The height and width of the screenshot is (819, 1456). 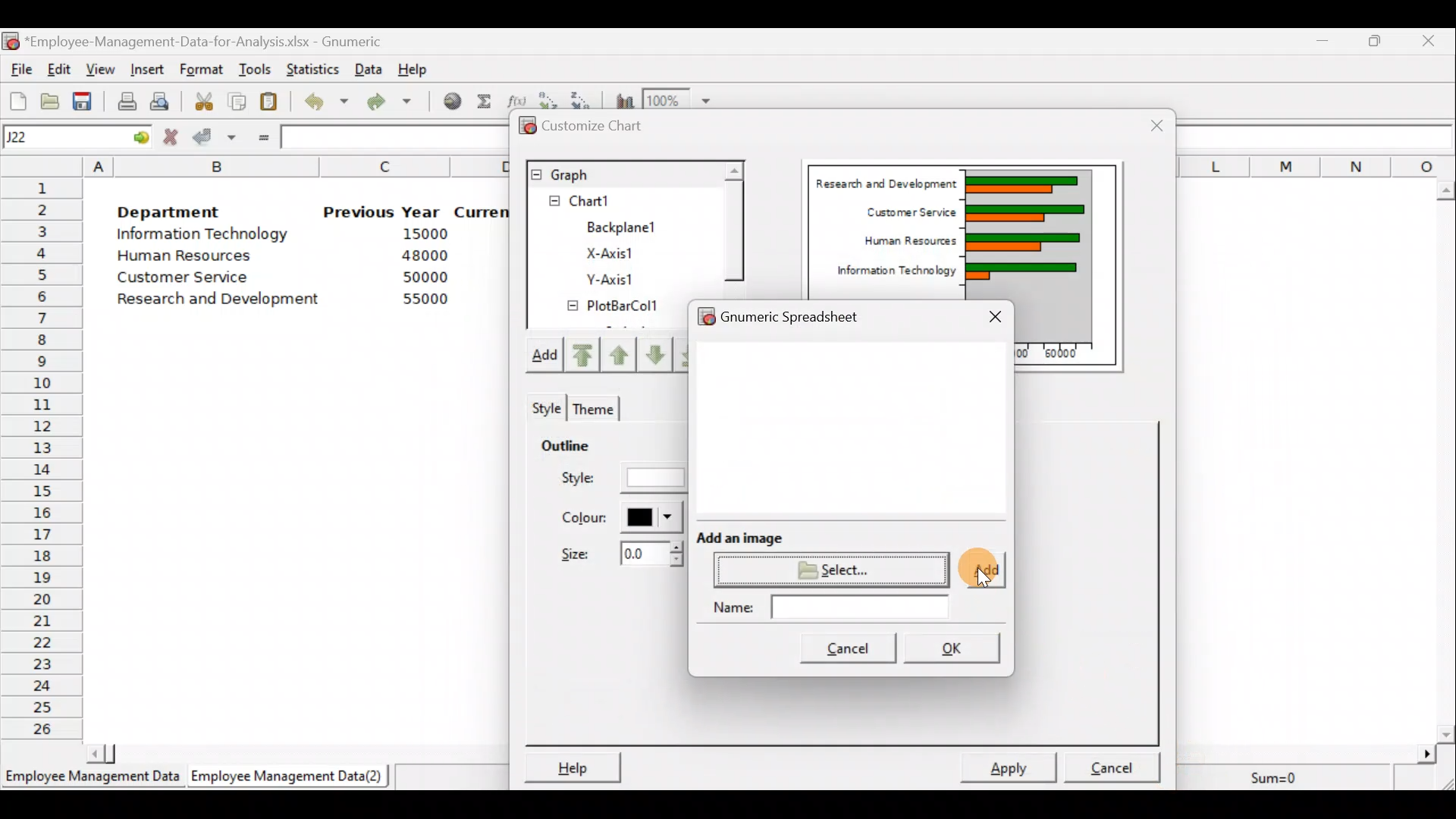 I want to click on File, so click(x=19, y=69).